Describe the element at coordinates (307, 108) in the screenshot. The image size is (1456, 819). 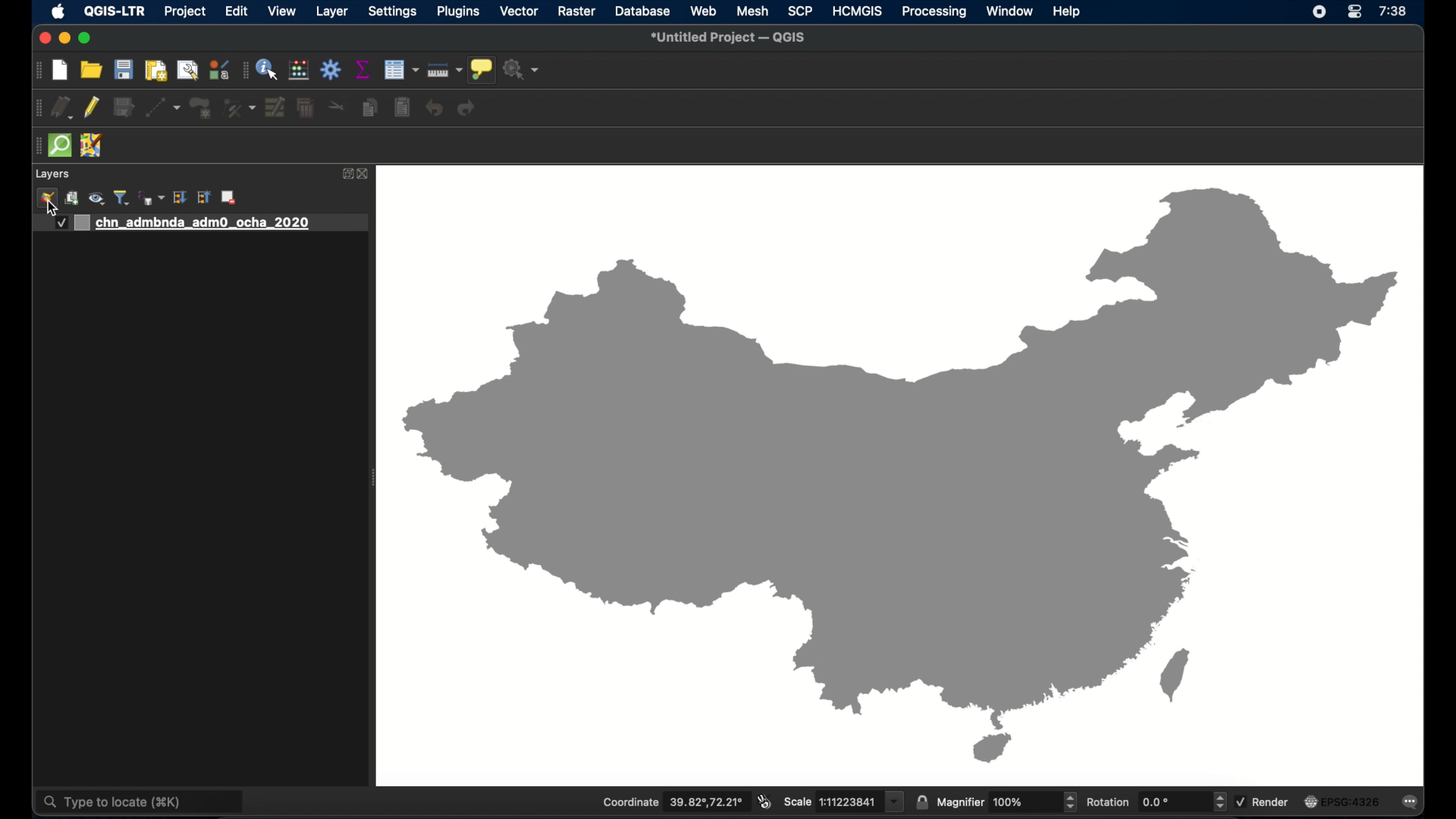
I see `delete selected` at that location.